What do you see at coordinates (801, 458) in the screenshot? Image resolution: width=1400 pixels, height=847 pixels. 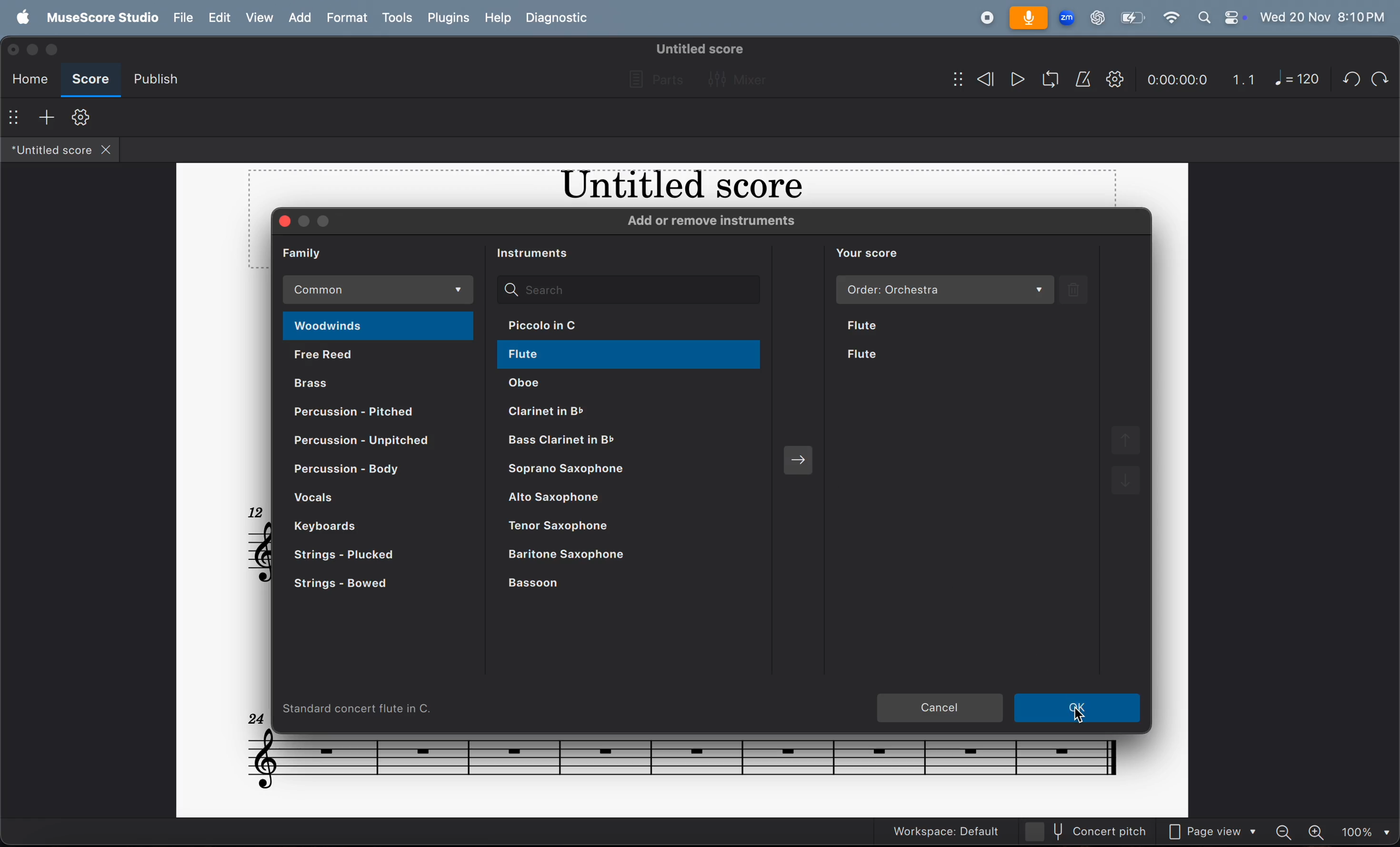 I see `add selected instruments to score` at bounding box center [801, 458].